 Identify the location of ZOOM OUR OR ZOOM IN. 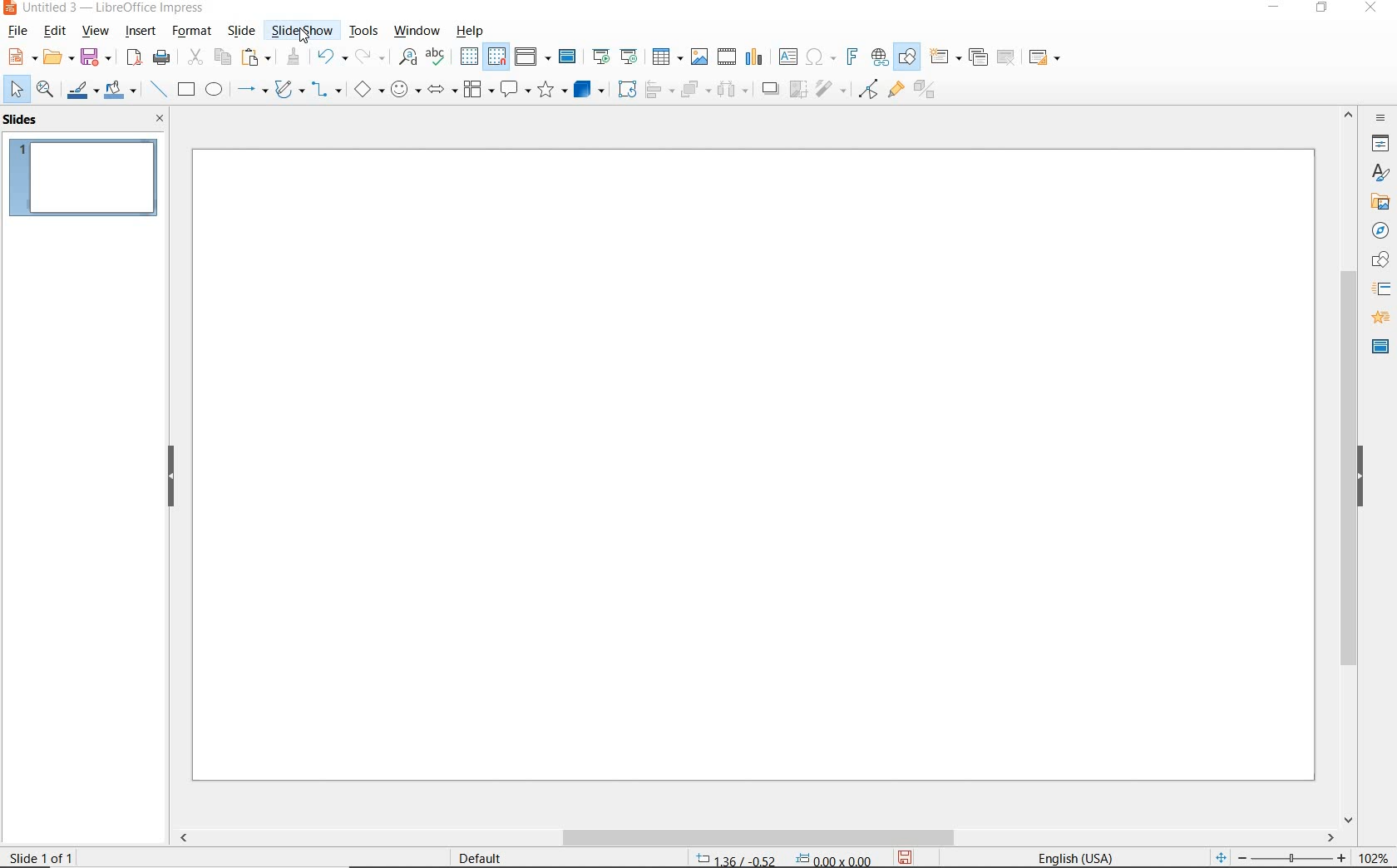
(1278, 856).